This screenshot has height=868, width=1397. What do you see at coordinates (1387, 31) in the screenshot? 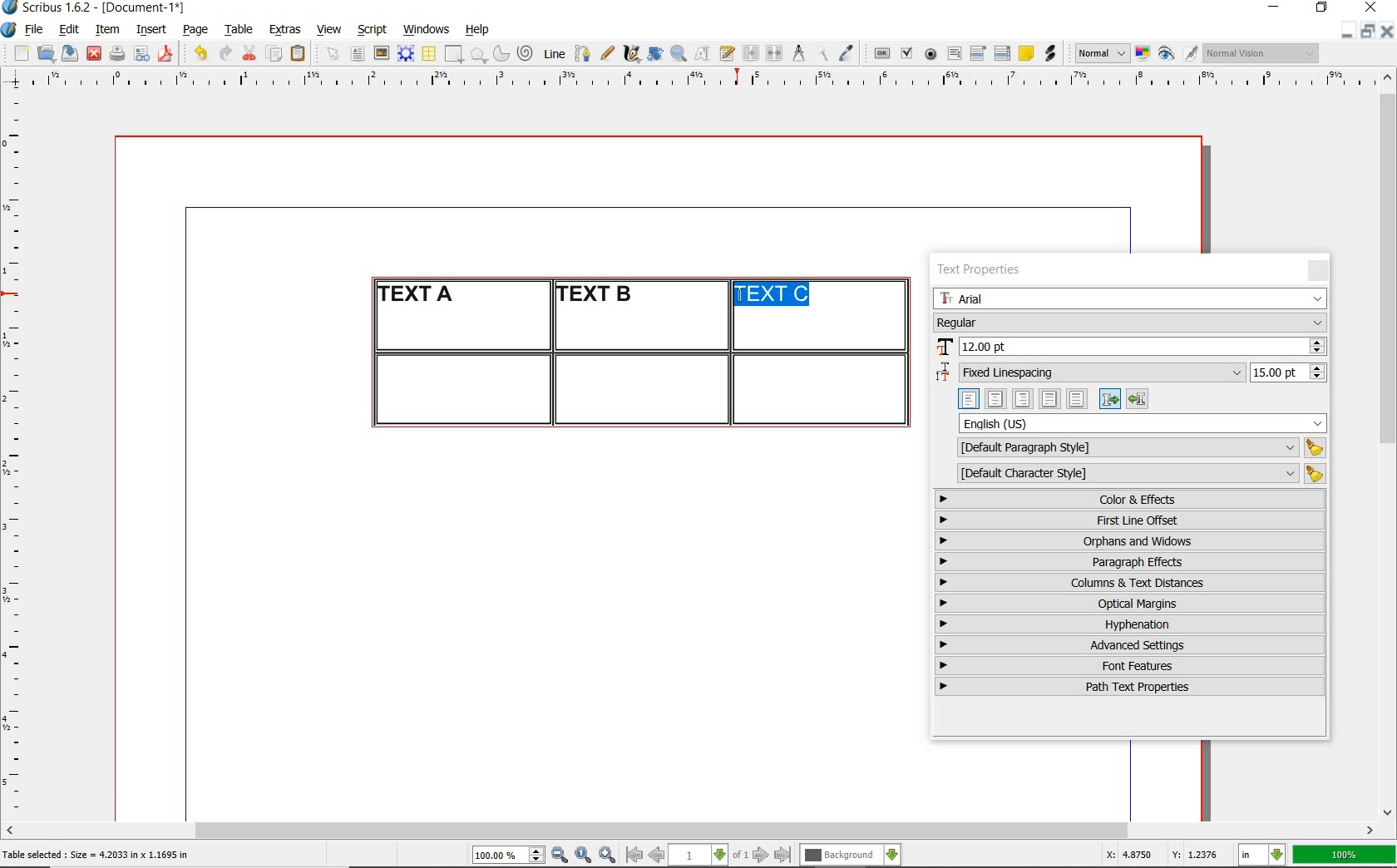
I see `close` at bounding box center [1387, 31].